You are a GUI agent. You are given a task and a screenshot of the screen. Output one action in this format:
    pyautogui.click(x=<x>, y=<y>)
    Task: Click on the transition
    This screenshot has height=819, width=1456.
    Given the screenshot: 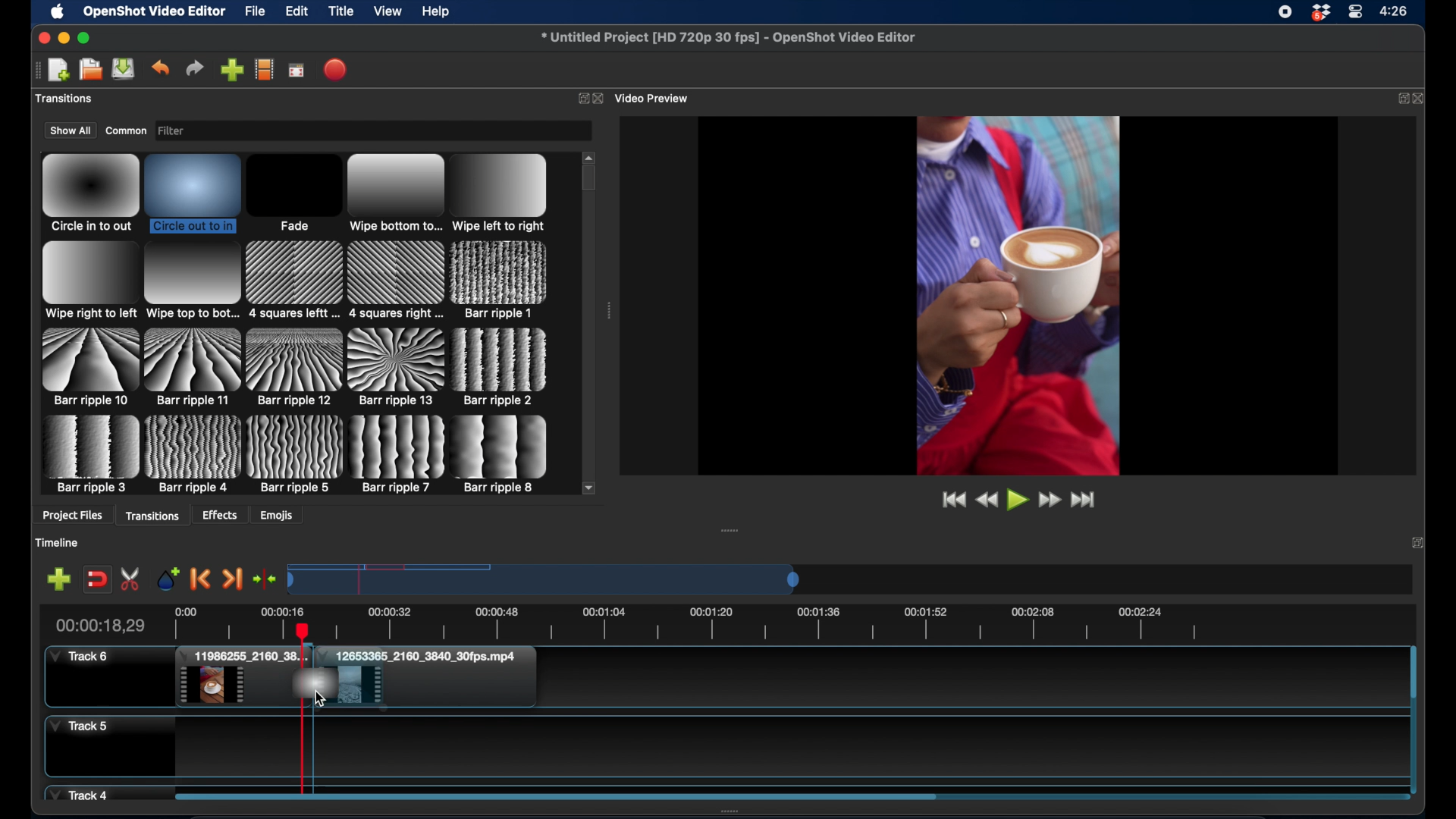 What is the action you would take?
    pyautogui.click(x=295, y=453)
    